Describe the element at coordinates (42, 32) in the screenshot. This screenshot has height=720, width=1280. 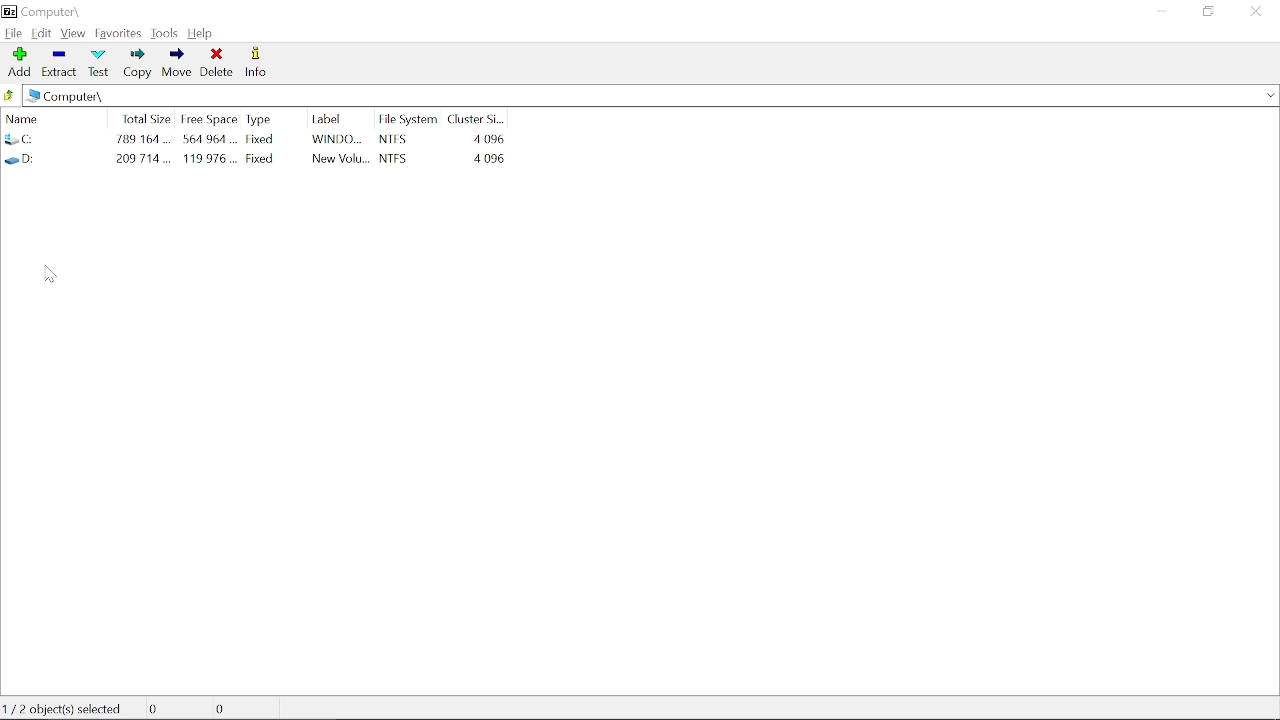
I see `edit` at that location.